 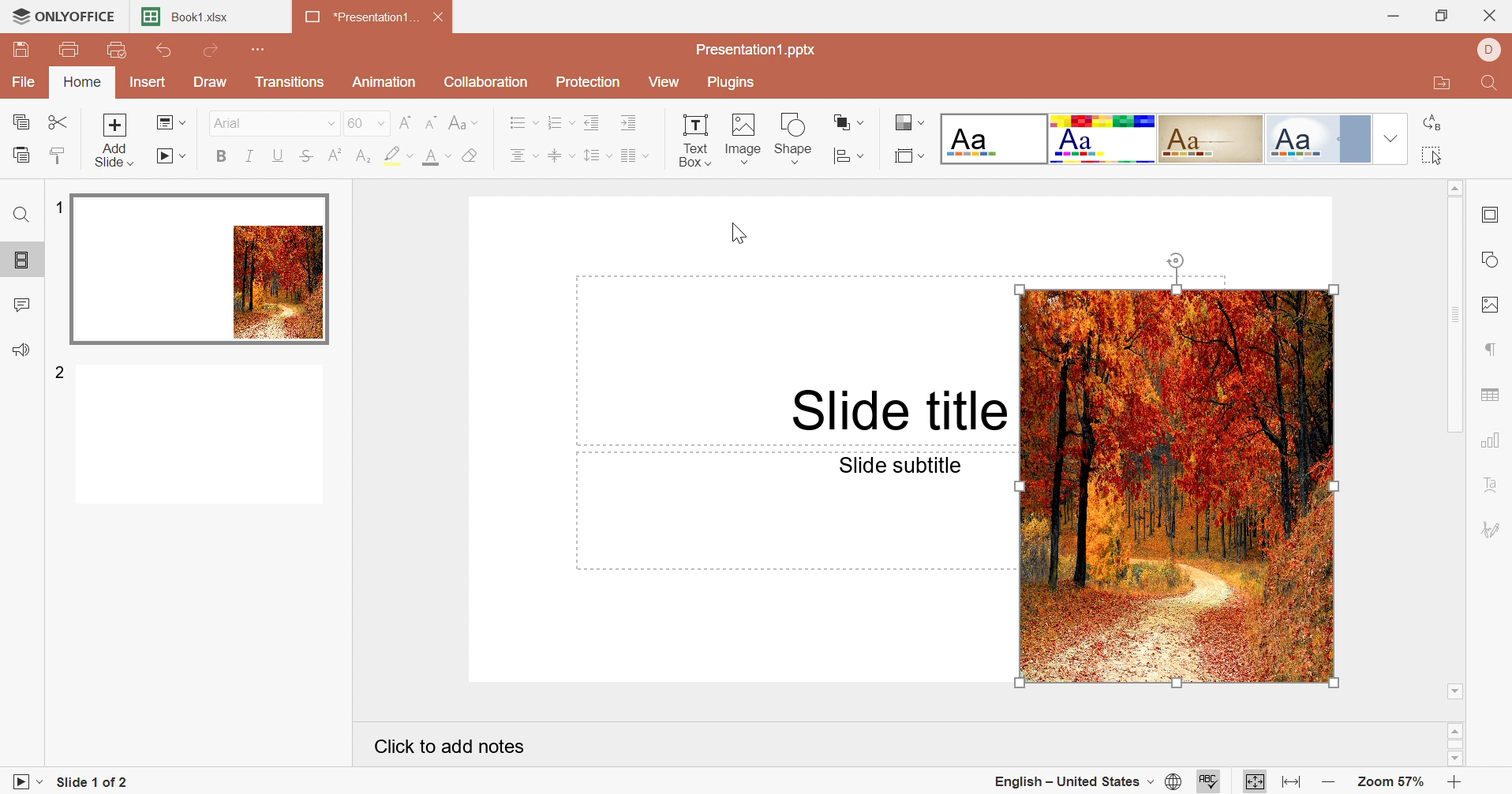 What do you see at coordinates (467, 125) in the screenshot?
I see `Change case` at bounding box center [467, 125].